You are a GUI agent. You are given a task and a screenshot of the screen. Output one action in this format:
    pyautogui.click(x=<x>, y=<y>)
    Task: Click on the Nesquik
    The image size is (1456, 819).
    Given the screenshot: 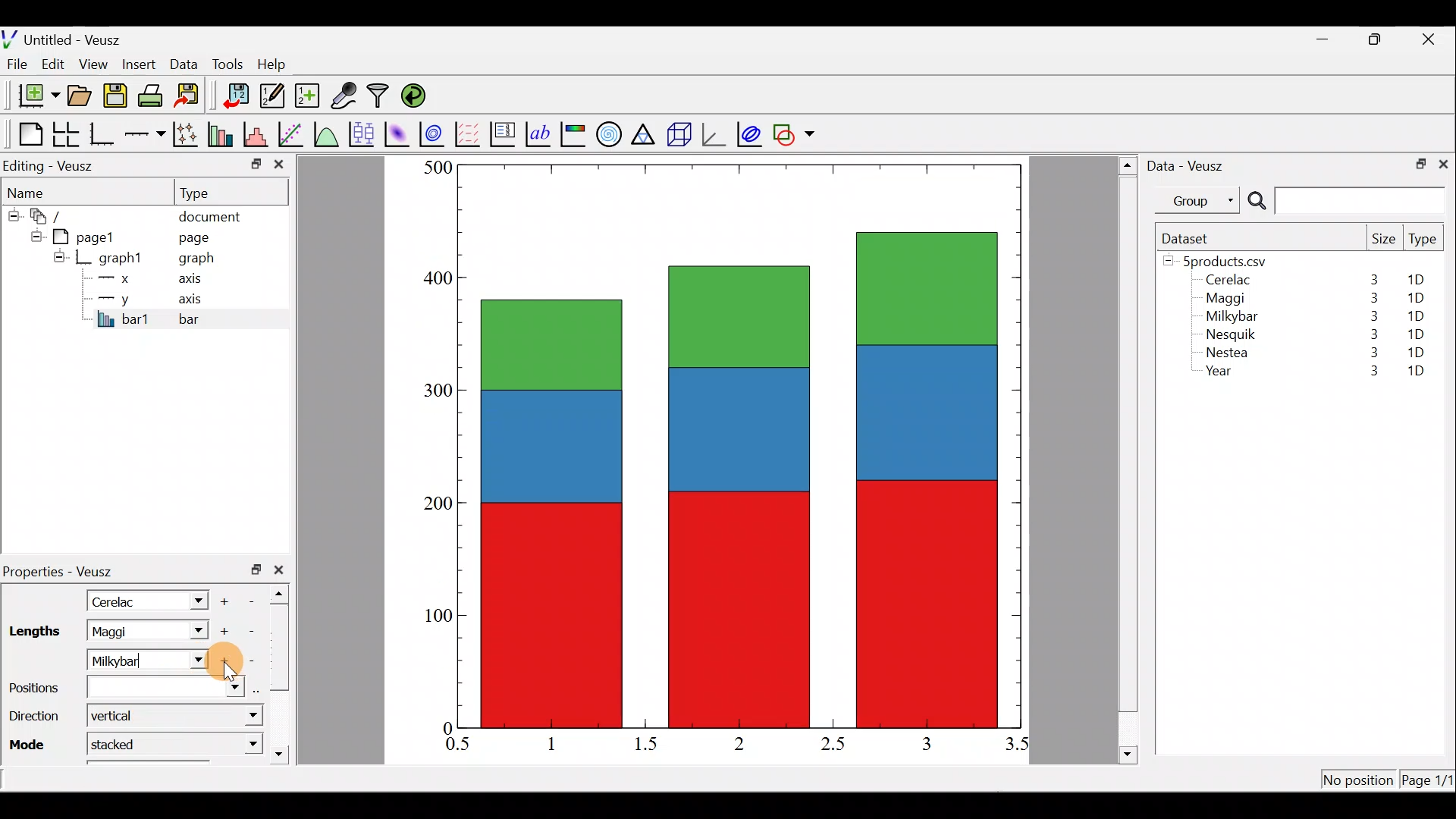 What is the action you would take?
    pyautogui.click(x=1228, y=334)
    